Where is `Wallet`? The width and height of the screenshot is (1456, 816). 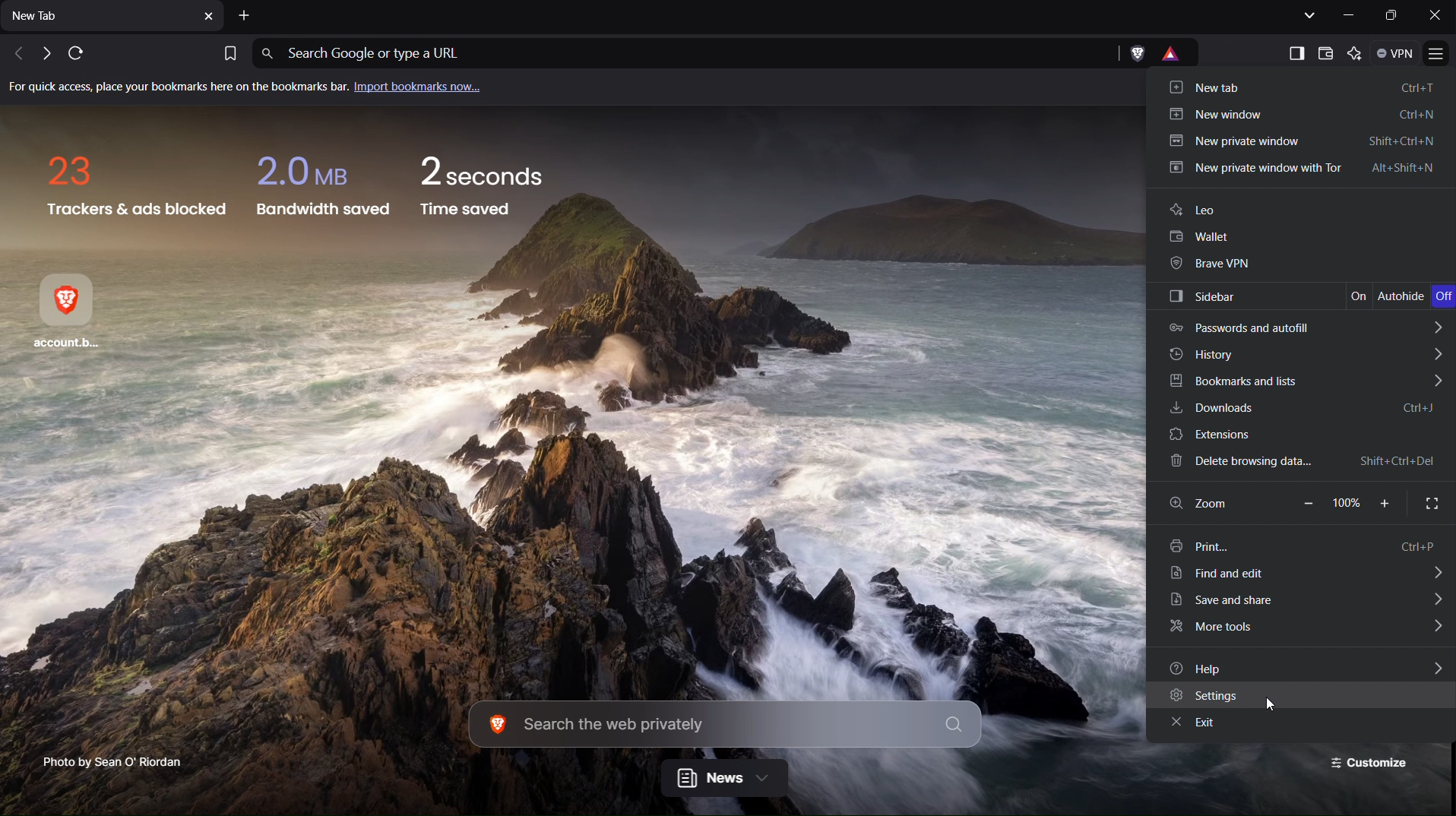 Wallet is located at coordinates (1326, 53).